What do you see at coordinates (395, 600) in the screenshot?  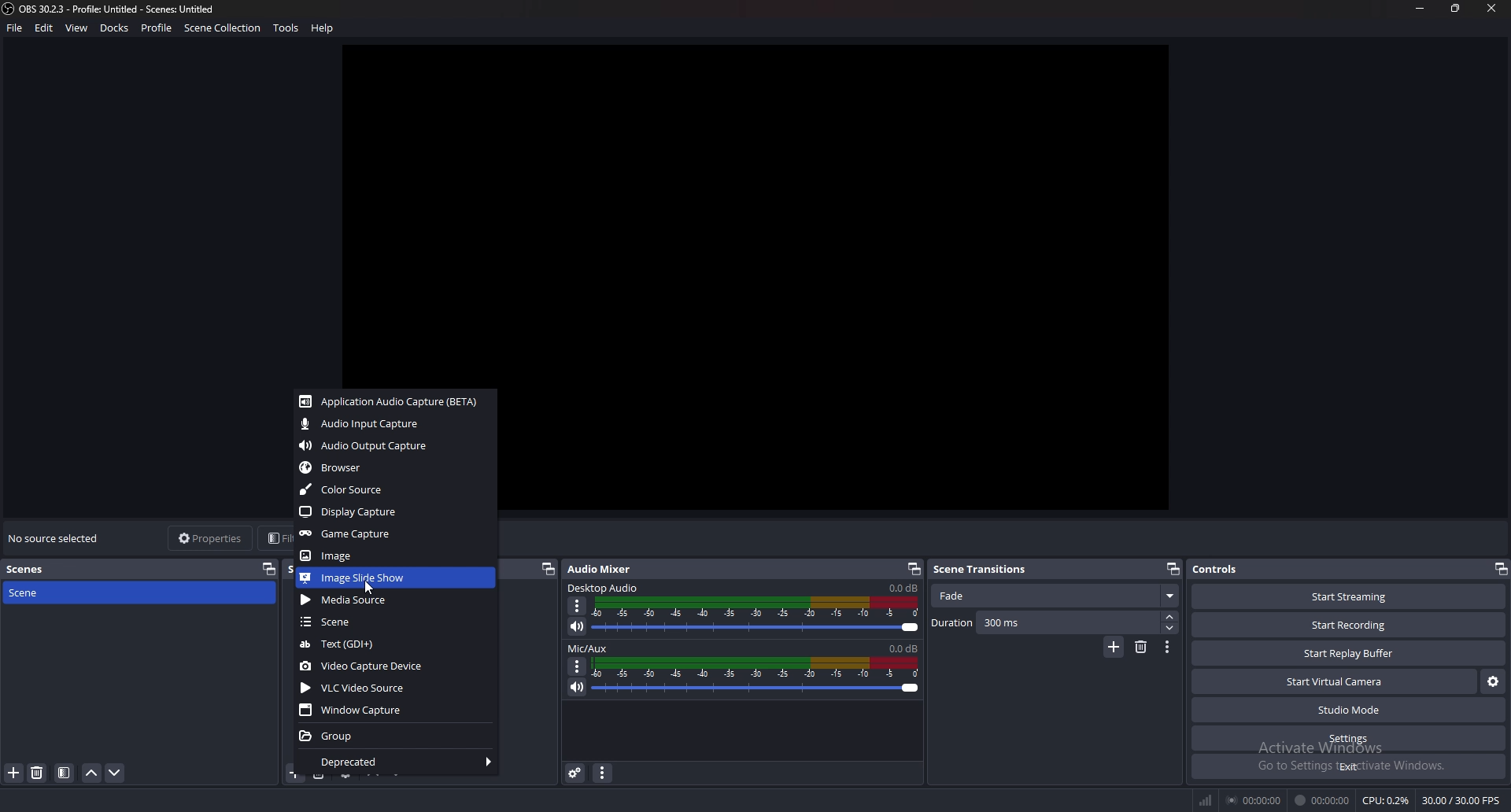 I see `media source` at bounding box center [395, 600].